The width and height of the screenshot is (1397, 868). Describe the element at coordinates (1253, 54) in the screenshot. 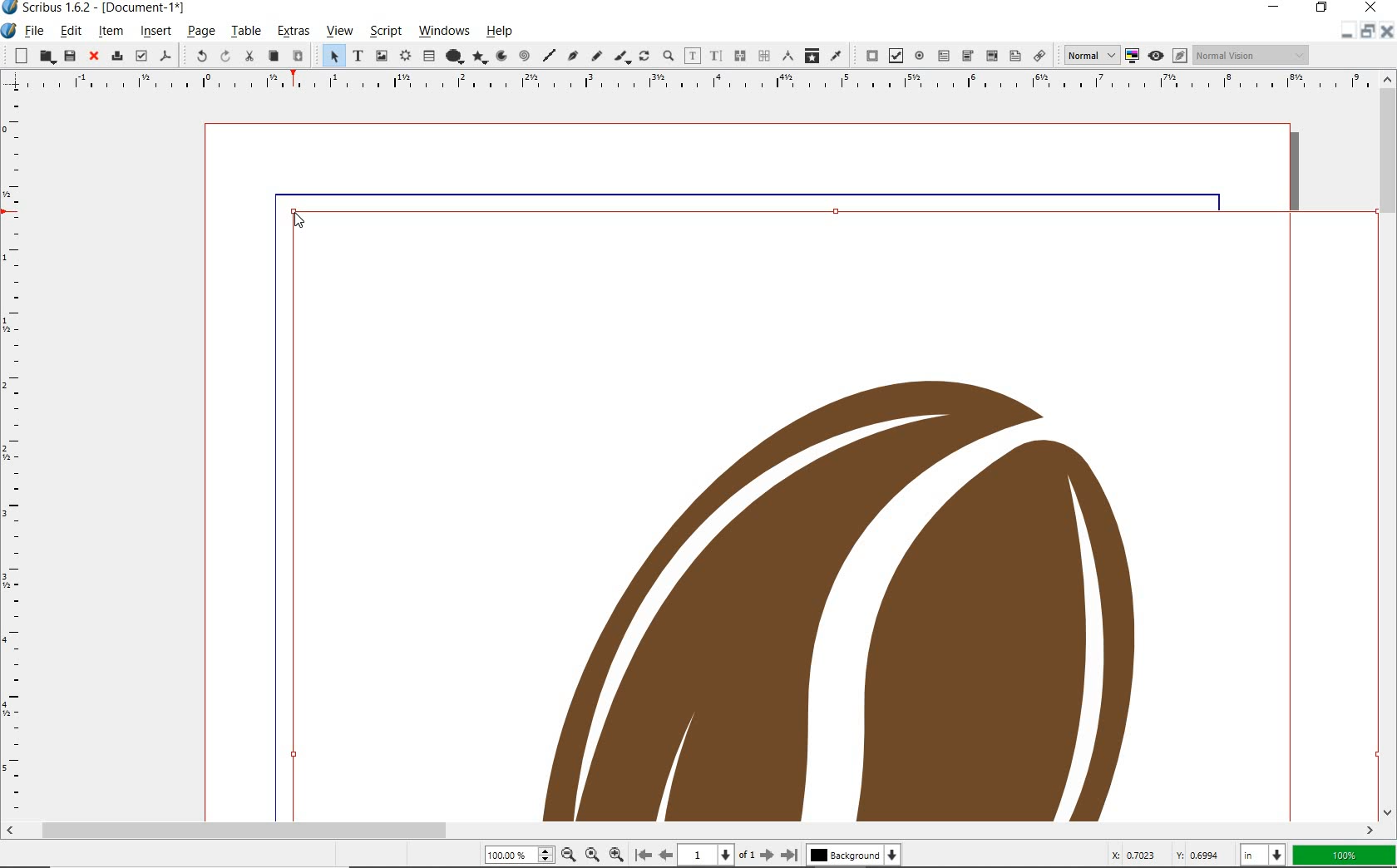

I see `Normal Vision` at that location.